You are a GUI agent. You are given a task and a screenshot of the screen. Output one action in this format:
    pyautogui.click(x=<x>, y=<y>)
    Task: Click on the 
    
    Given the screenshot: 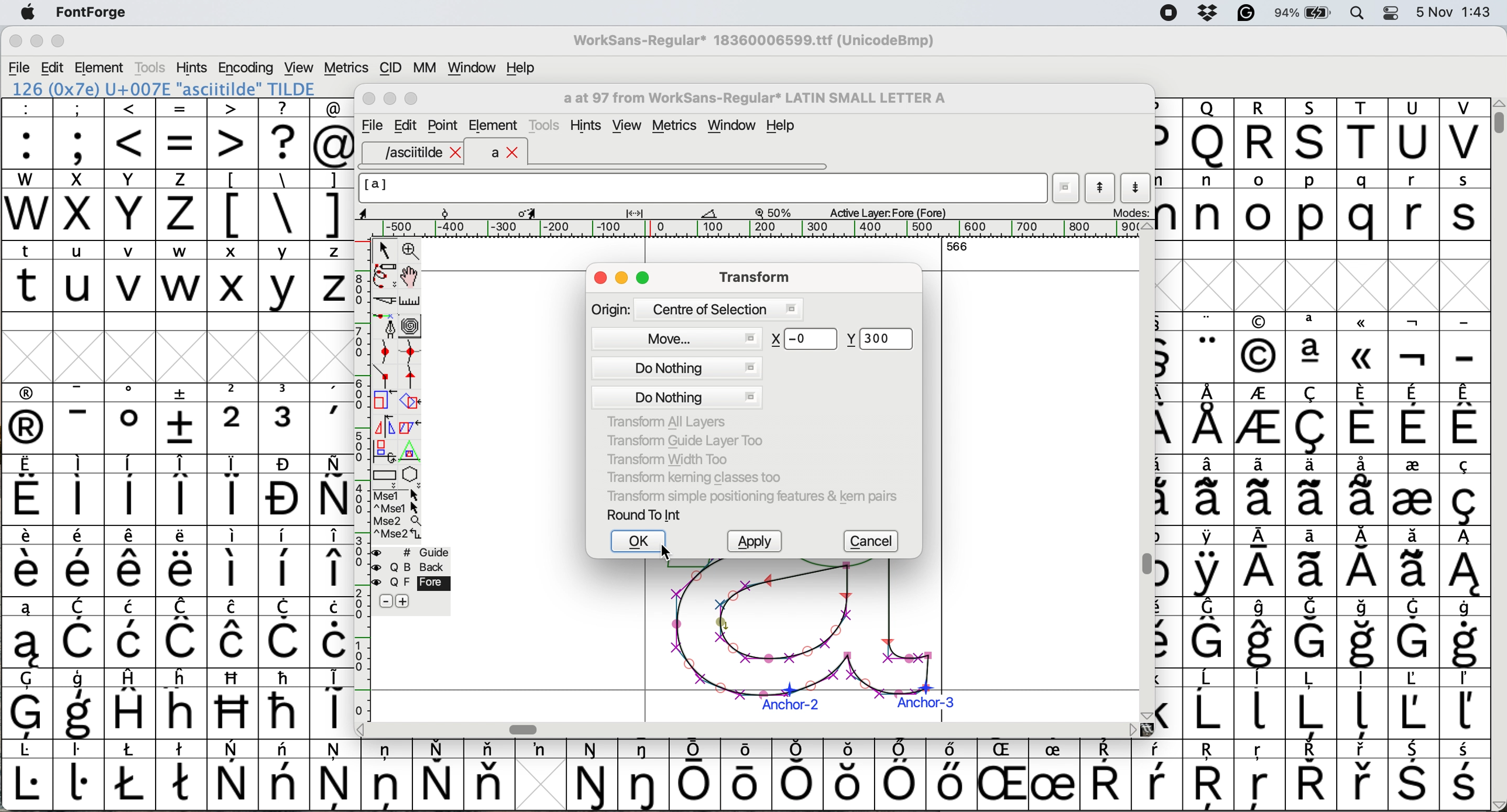 What is the action you would take?
    pyautogui.click(x=1261, y=776)
    